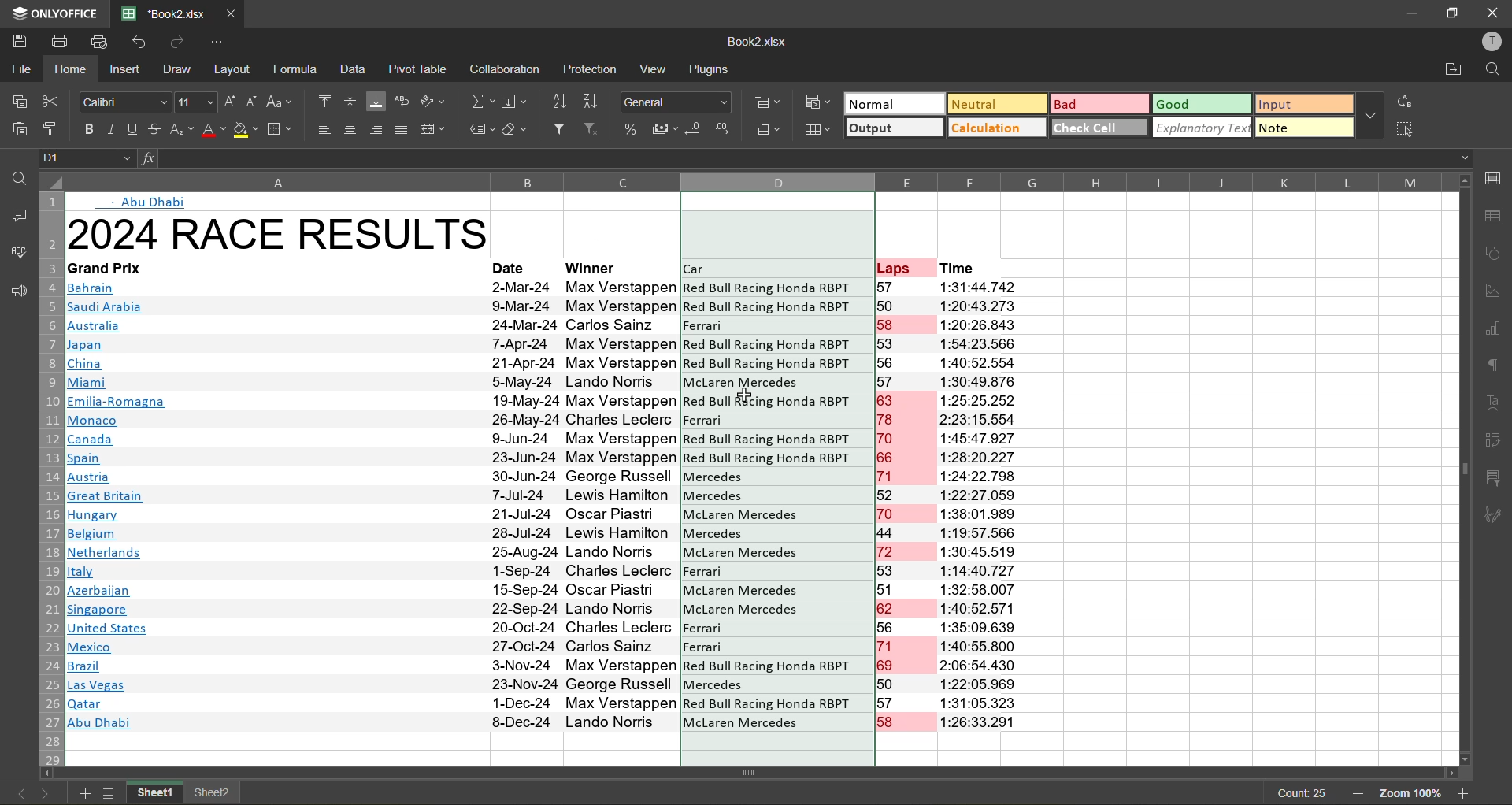  What do you see at coordinates (997, 129) in the screenshot?
I see `calculation` at bounding box center [997, 129].